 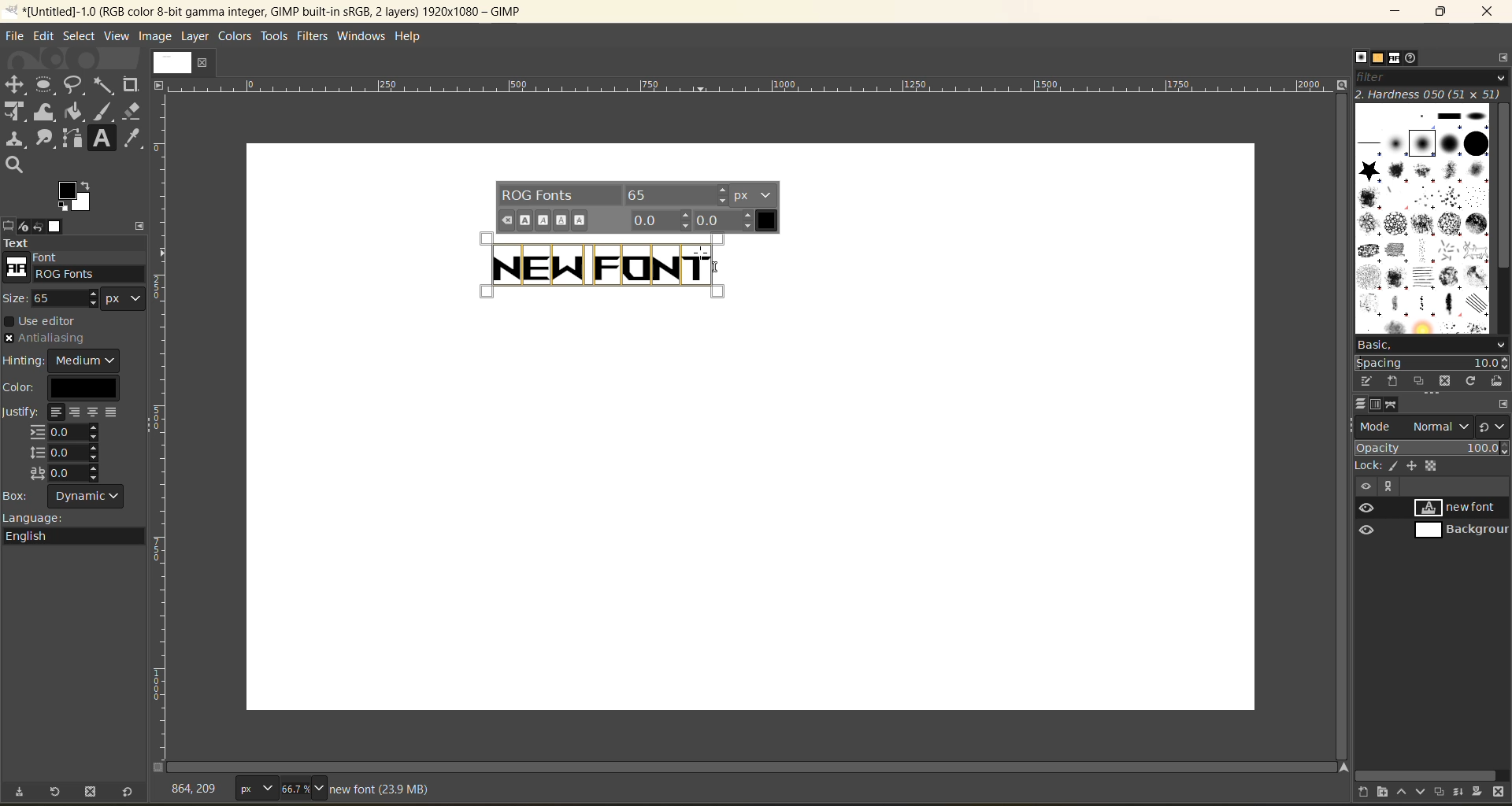 I want to click on vertical scroll bar, so click(x=1340, y=426).